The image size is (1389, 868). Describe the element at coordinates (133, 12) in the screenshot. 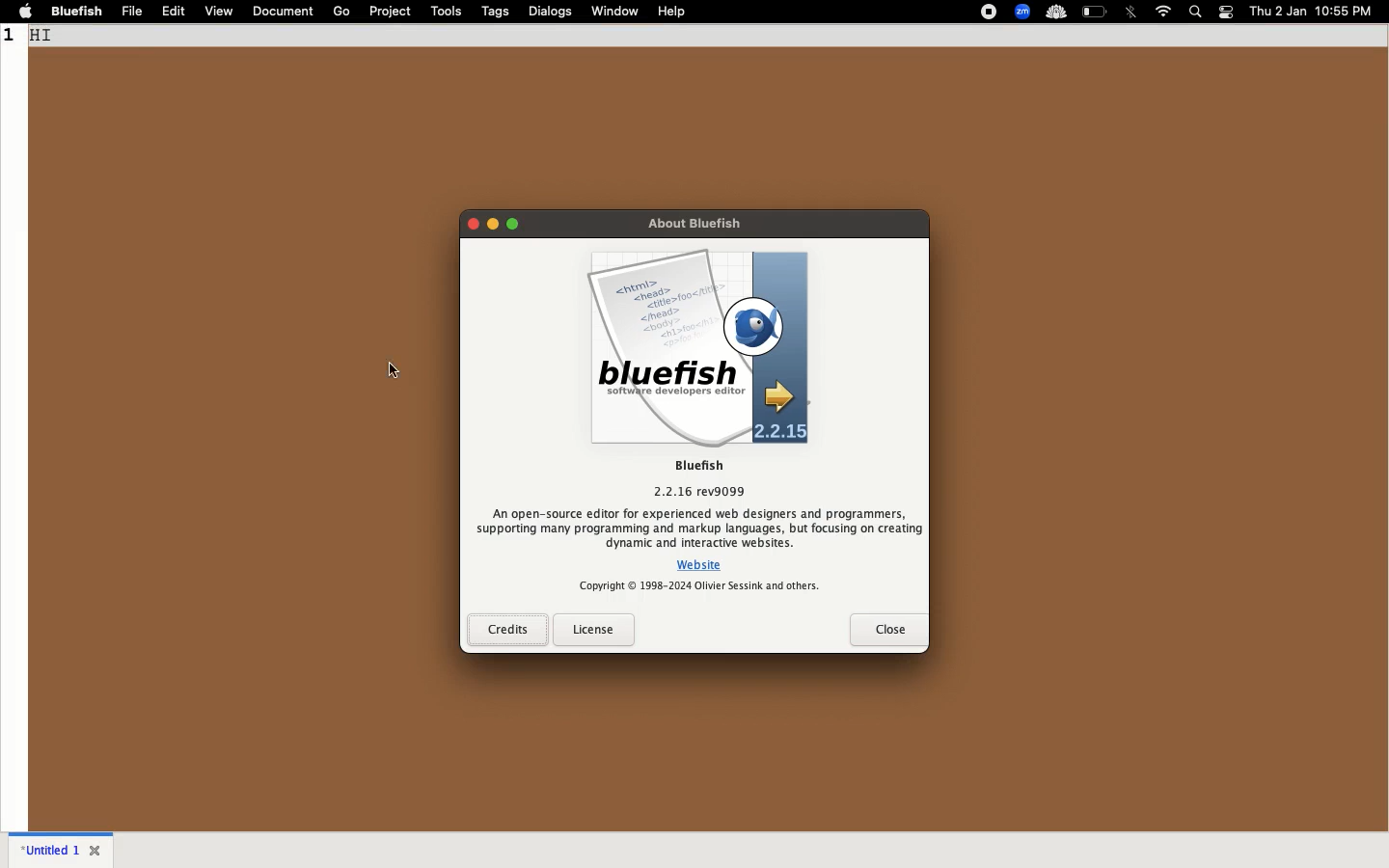

I see `file` at that location.